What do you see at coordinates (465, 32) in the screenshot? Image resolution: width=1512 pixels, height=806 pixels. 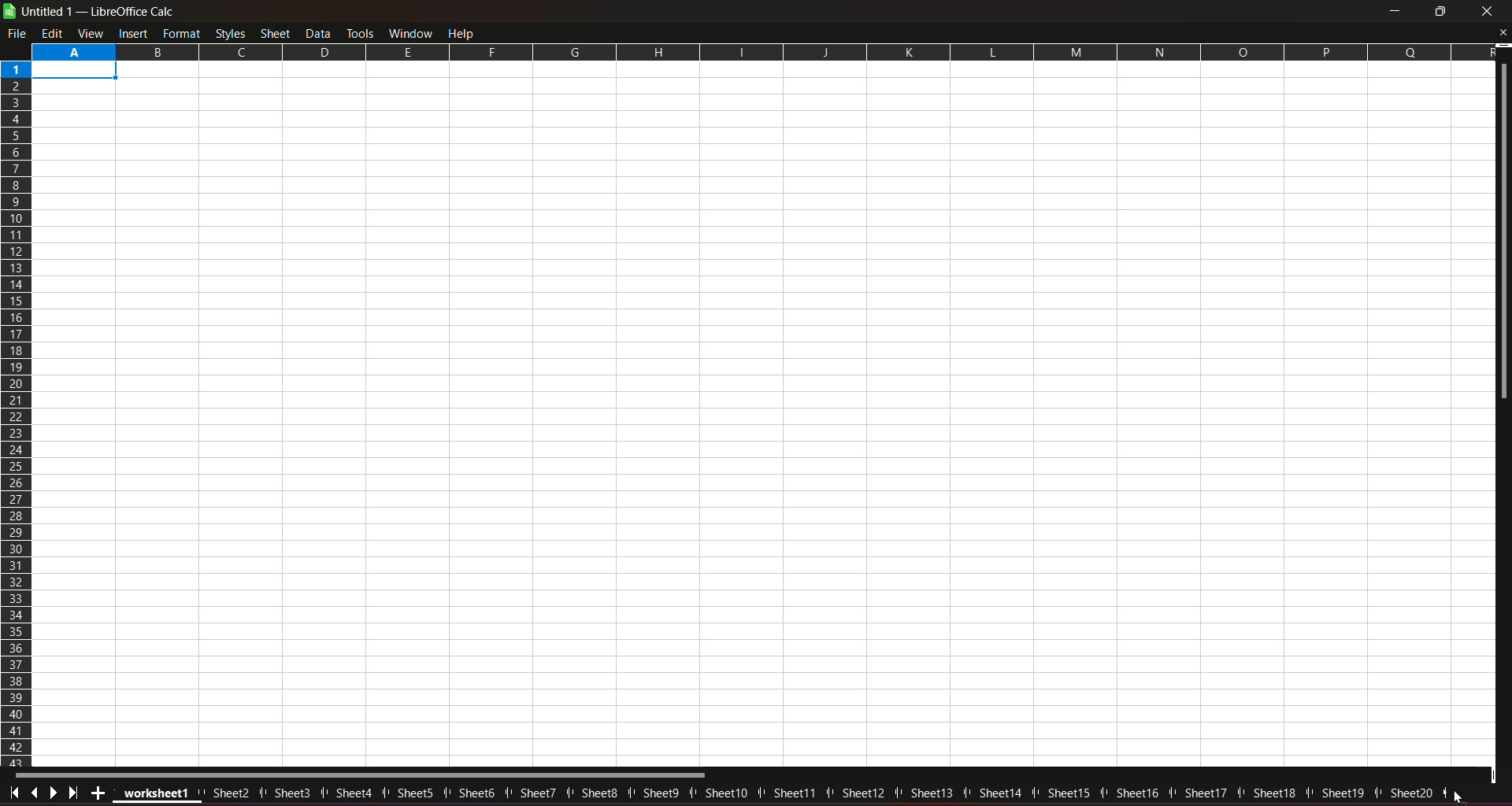 I see `Help` at bounding box center [465, 32].